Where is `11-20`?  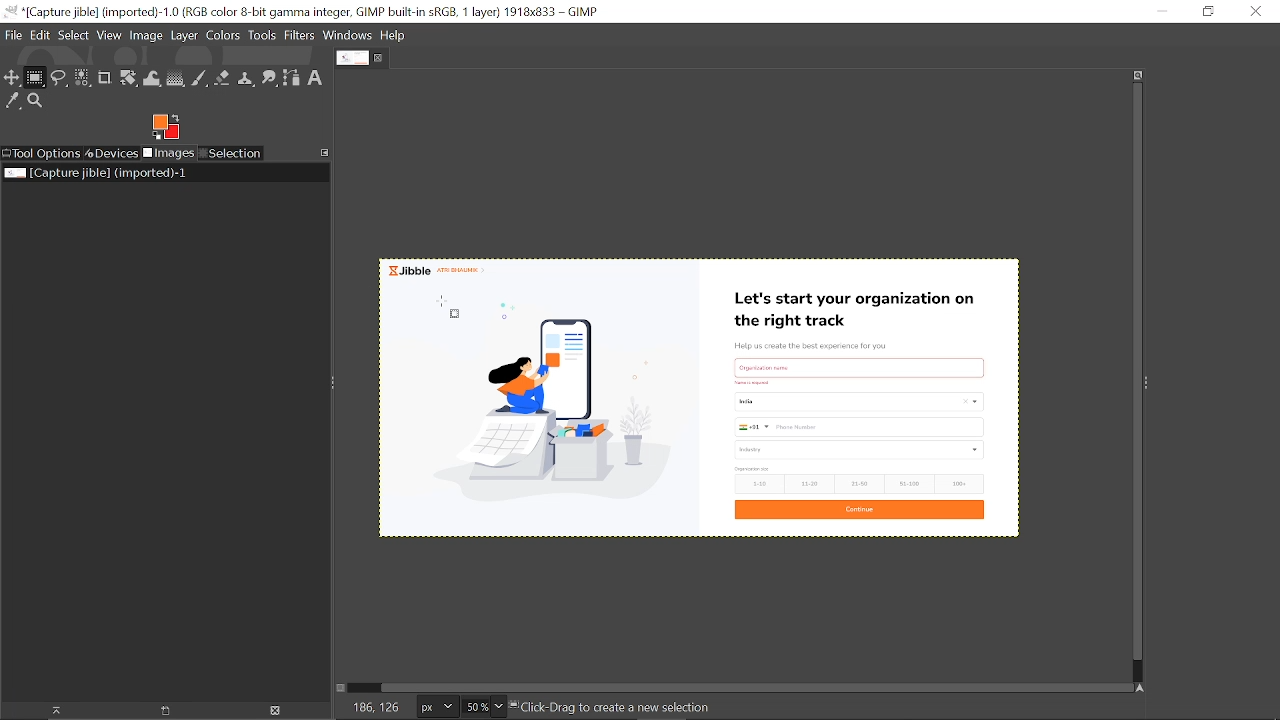
11-20 is located at coordinates (808, 484).